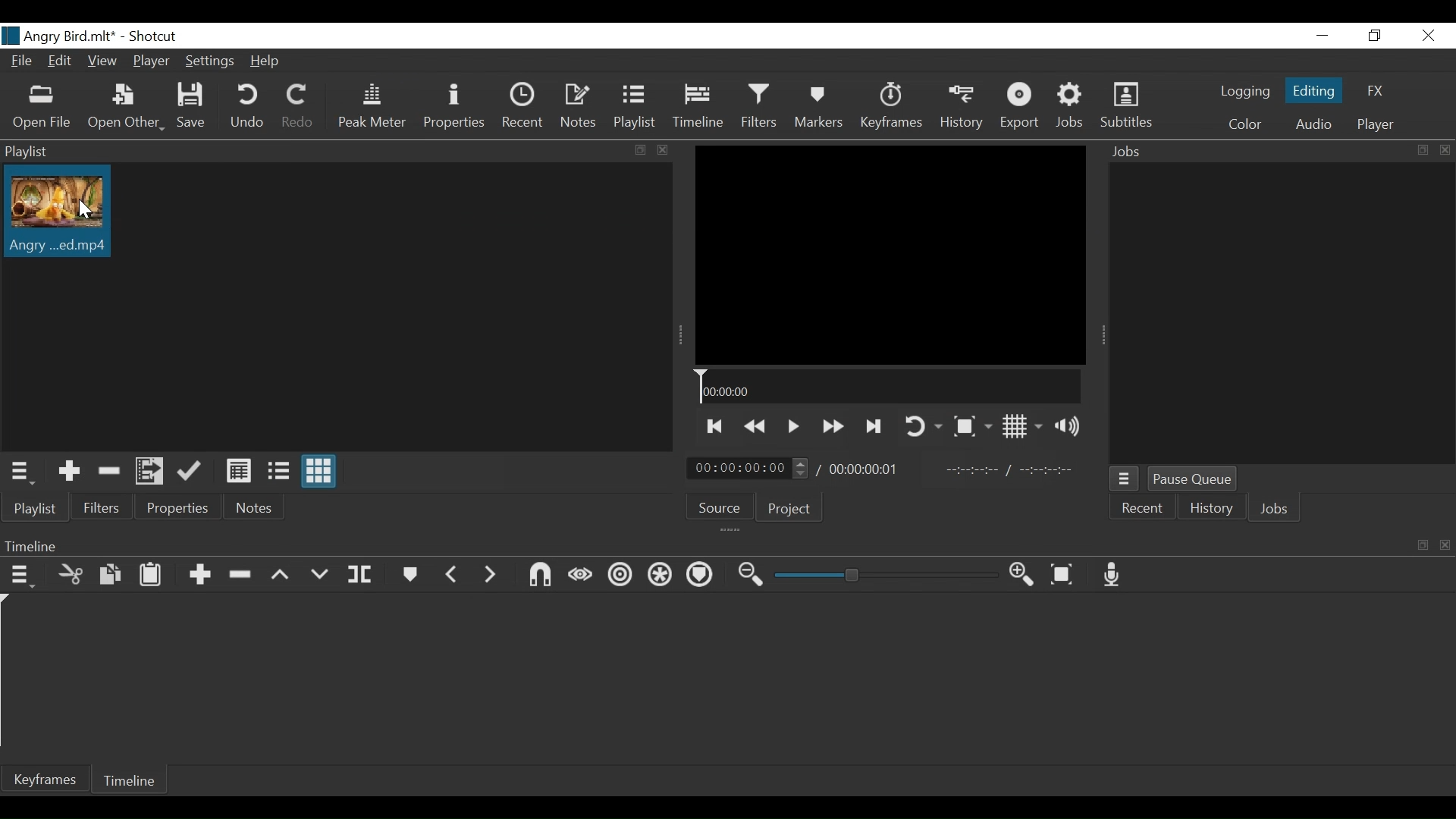 This screenshot has height=819, width=1456. Describe the element at coordinates (1144, 507) in the screenshot. I see `Recent` at that location.